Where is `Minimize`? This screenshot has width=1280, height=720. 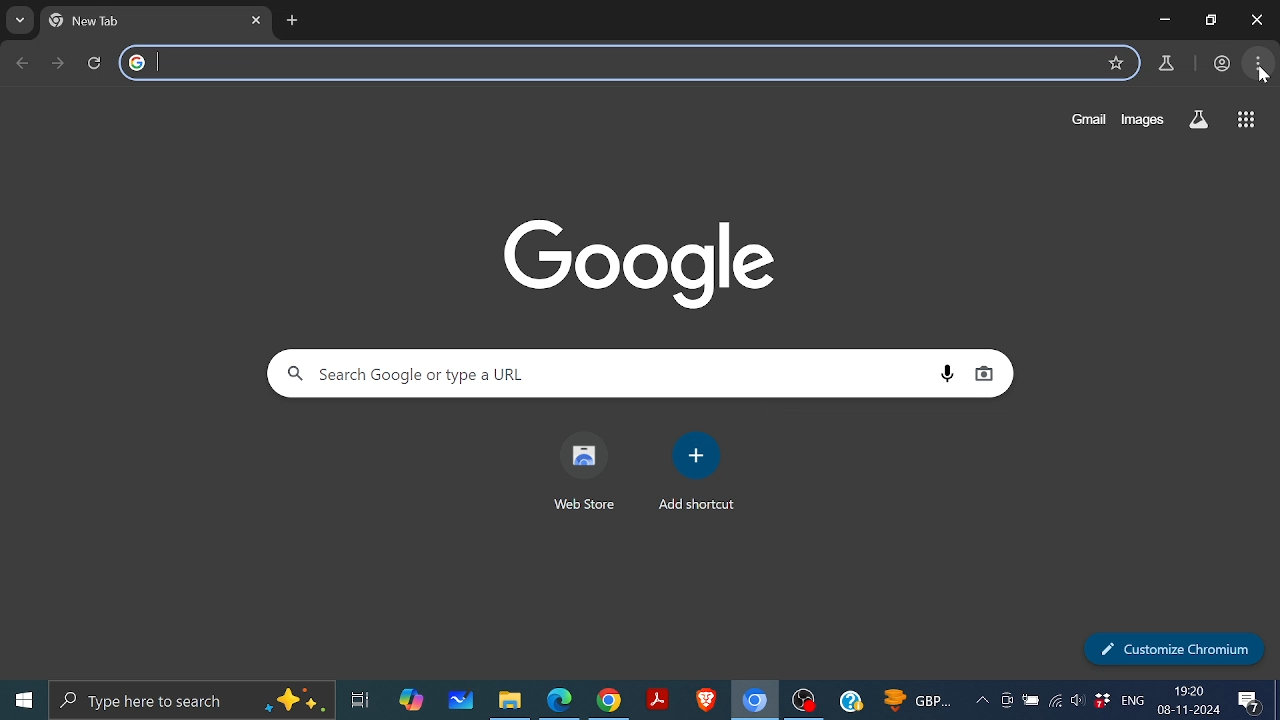
Minimize is located at coordinates (1164, 20).